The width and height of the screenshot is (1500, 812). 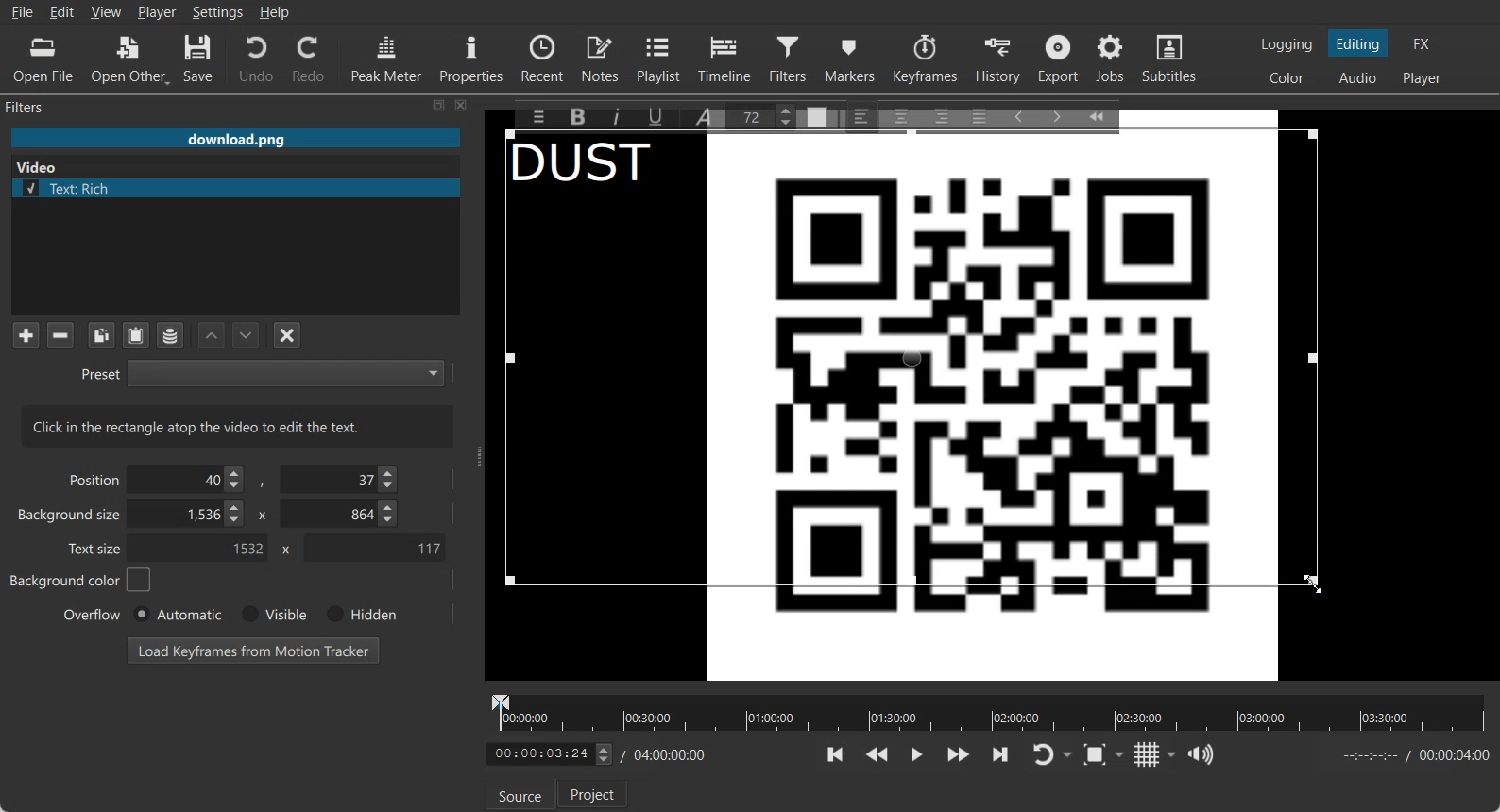 I want to click on Play Quickly Forward, so click(x=959, y=754).